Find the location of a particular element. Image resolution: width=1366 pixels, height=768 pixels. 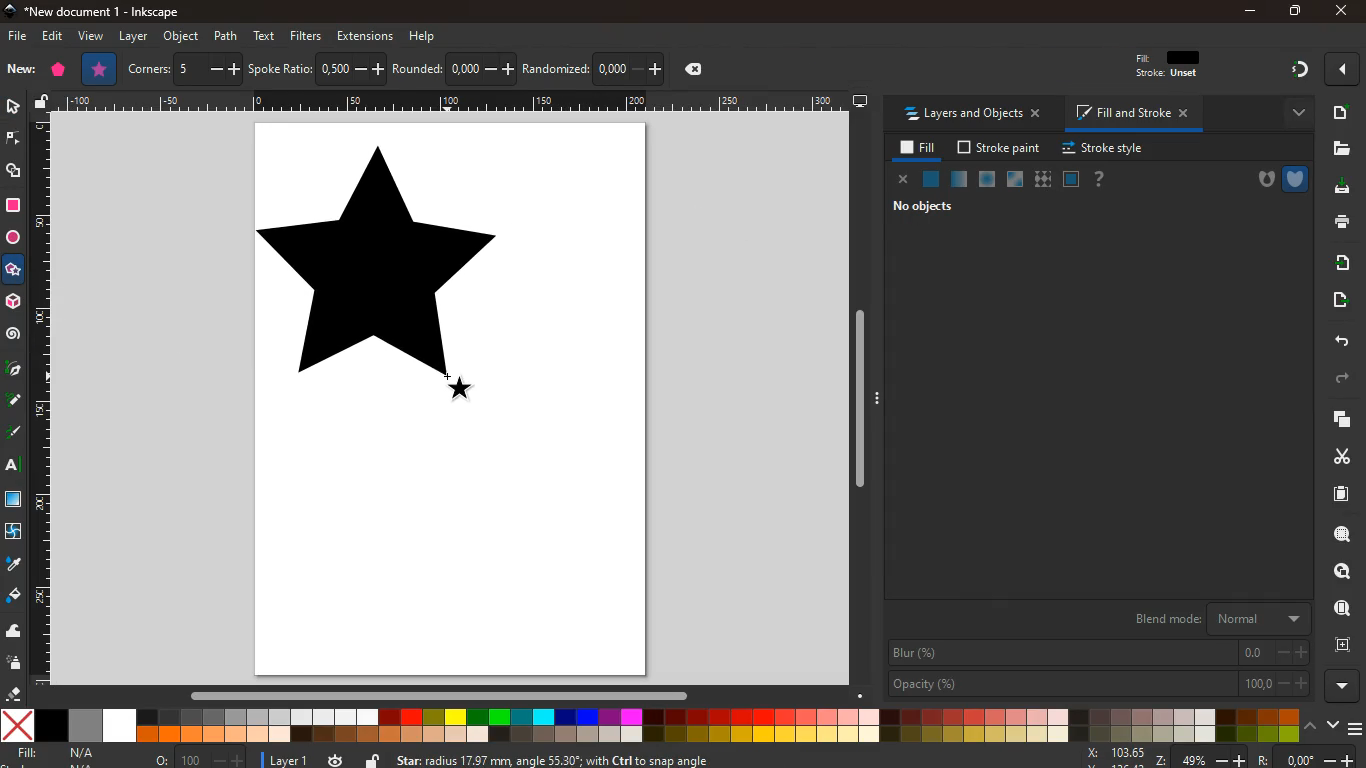

glass is located at coordinates (1016, 179).